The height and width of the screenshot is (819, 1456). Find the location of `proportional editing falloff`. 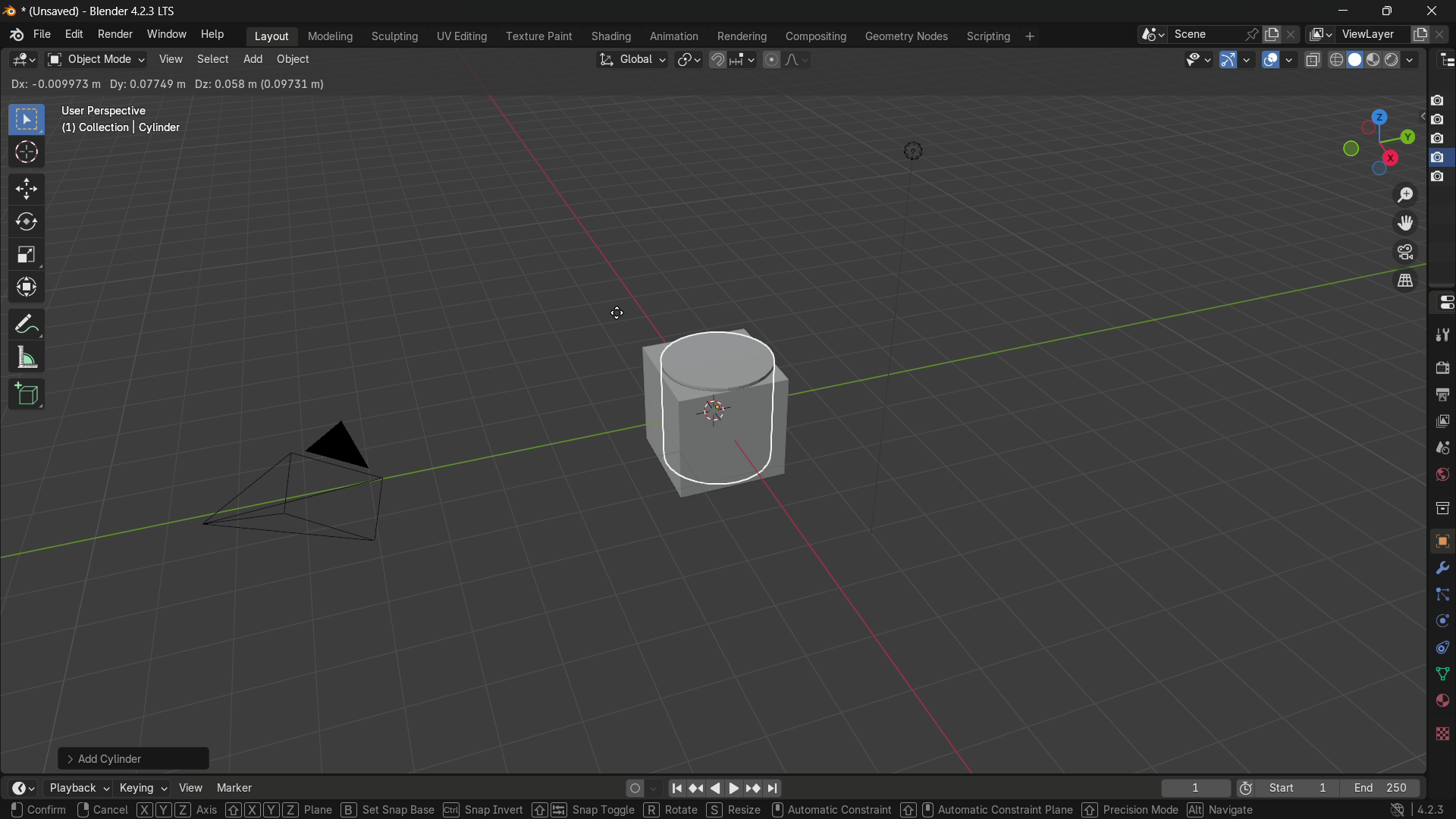

proportional editing falloff is located at coordinates (796, 60).